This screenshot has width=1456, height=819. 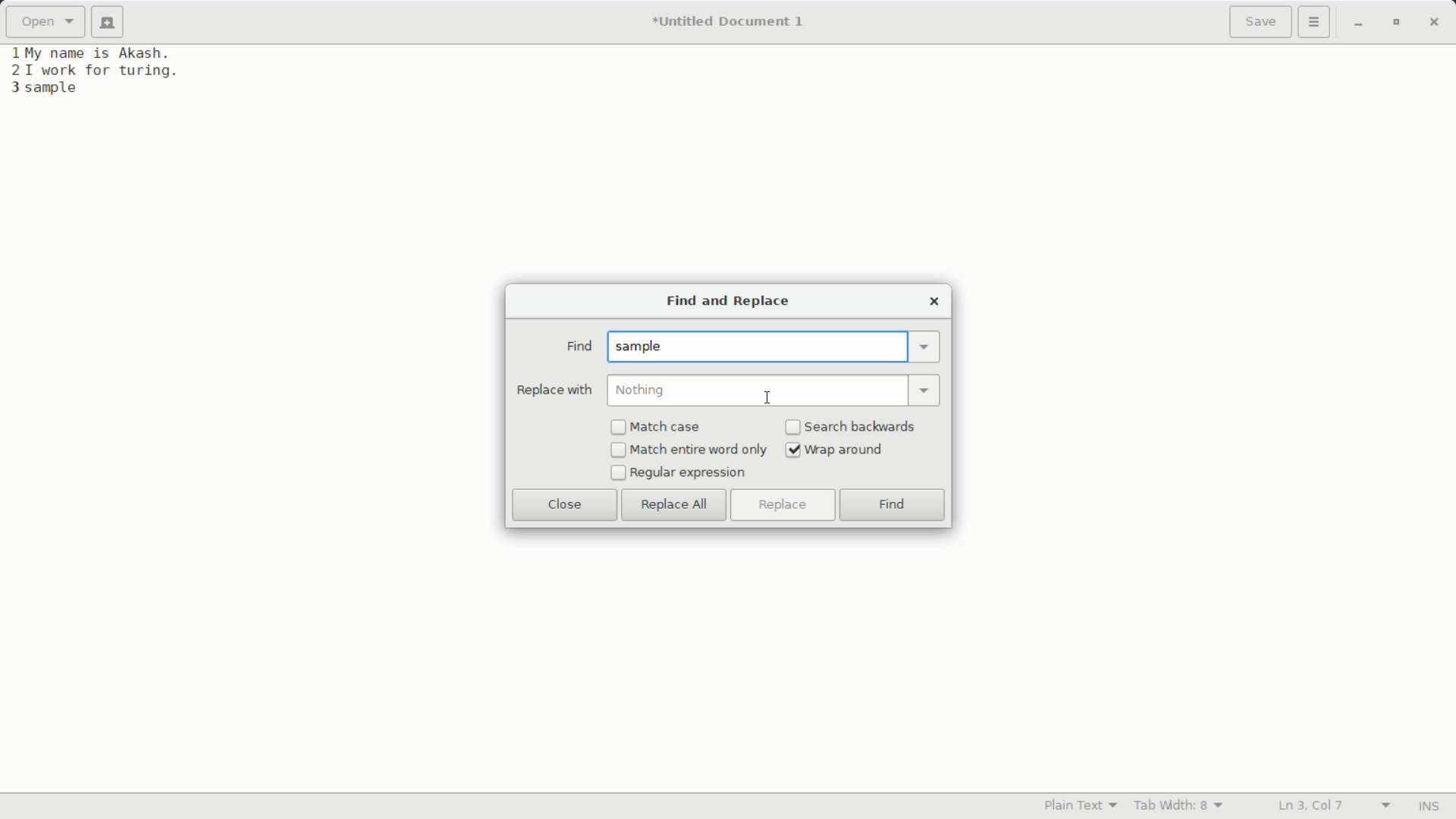 I want to click on checkbox, so click(x=618, y=428).